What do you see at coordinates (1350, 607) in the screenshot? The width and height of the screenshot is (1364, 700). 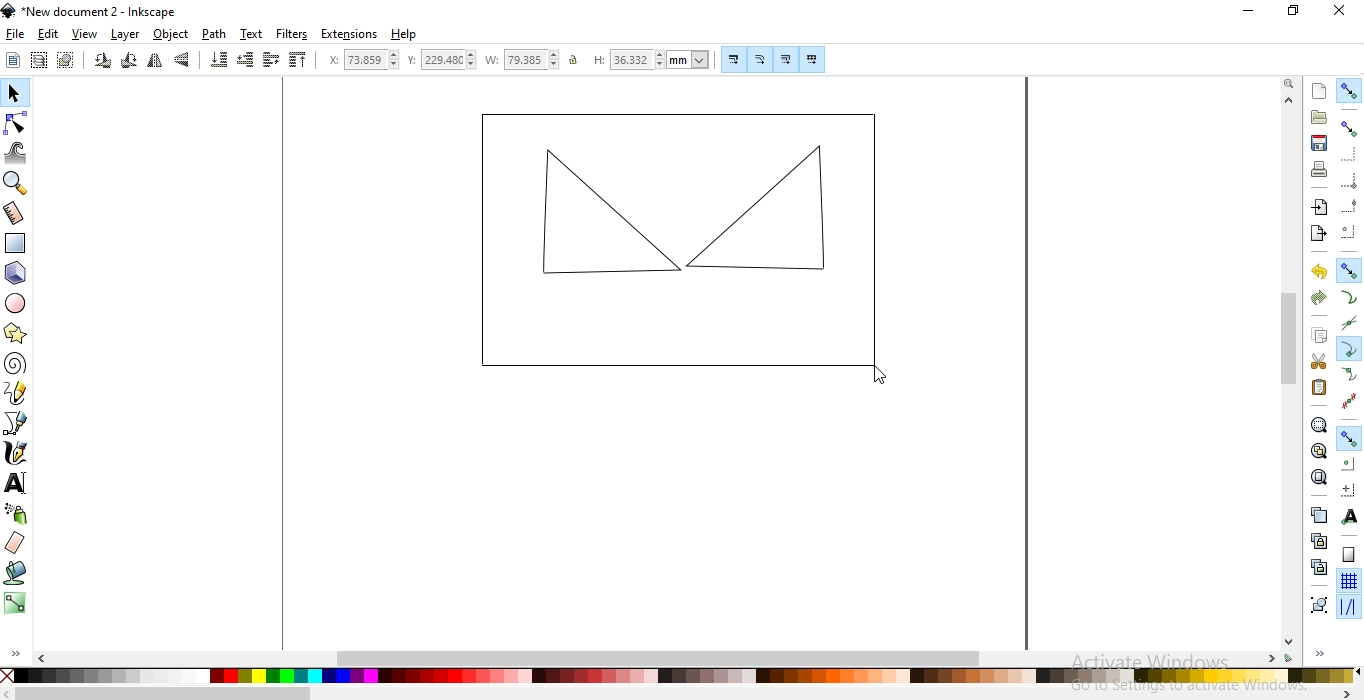 I see `snap guide` at bounding box center [1350, 607].